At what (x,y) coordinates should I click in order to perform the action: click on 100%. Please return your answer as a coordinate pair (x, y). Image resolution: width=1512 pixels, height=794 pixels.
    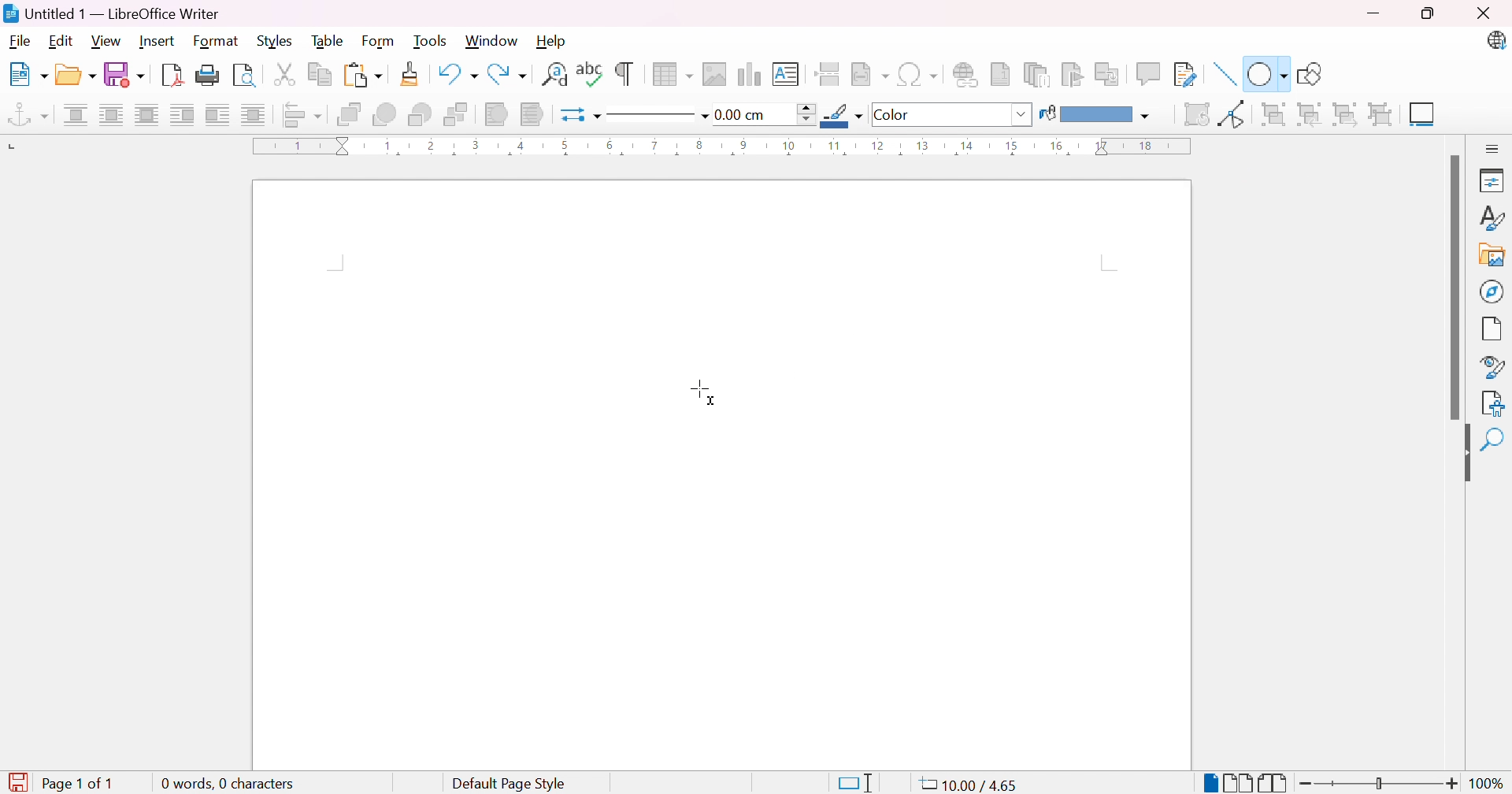
    Looking at the image, I should click on (1489, 785).